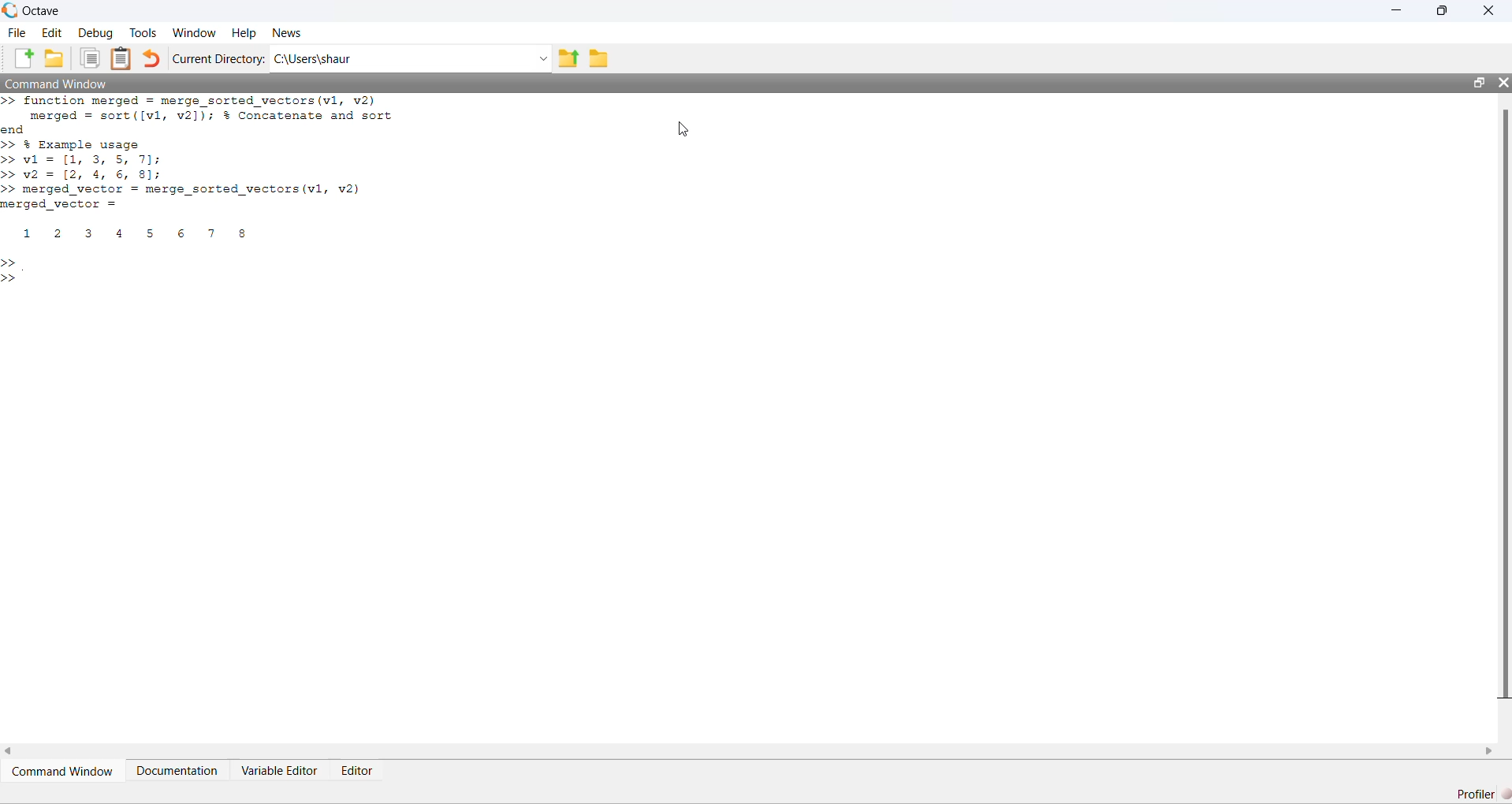  What do you see at coordinates (1478, 83) in the screenshot?
I see `open in separate window` at bounding box center [1478, 83].